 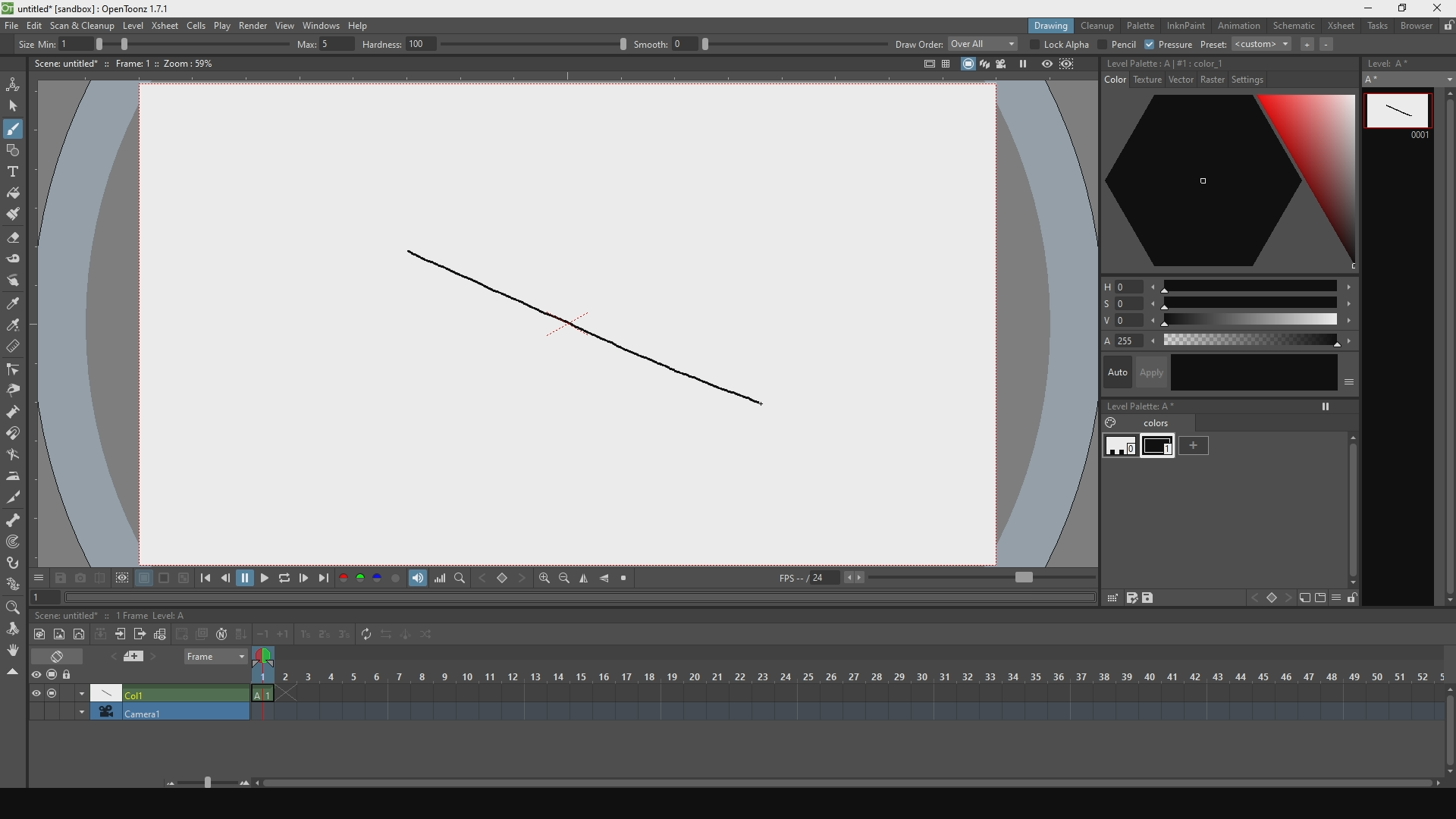 I want to click on custom, so click(x=1262, y=48).